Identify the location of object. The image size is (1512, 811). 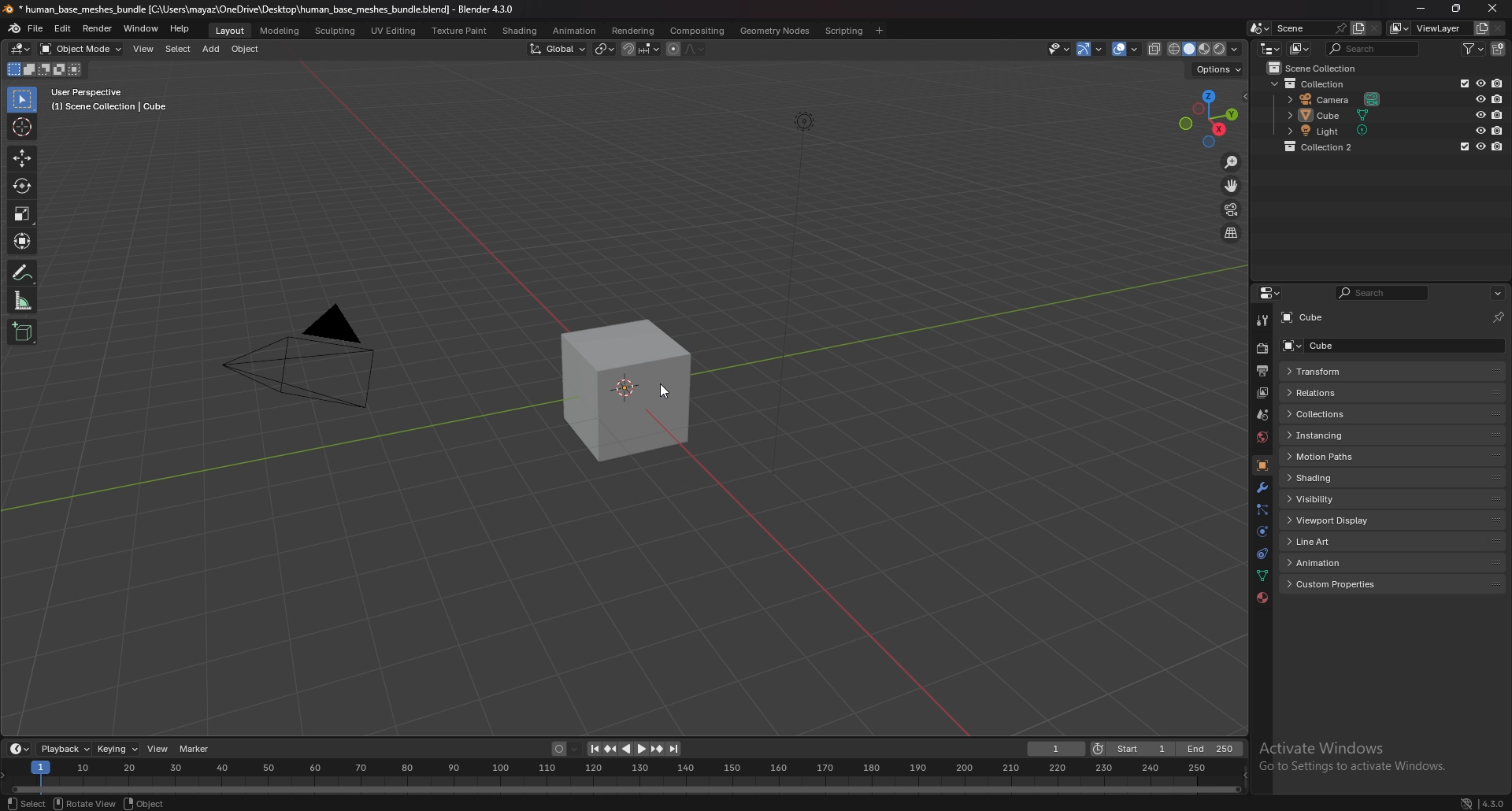
(246, 49).